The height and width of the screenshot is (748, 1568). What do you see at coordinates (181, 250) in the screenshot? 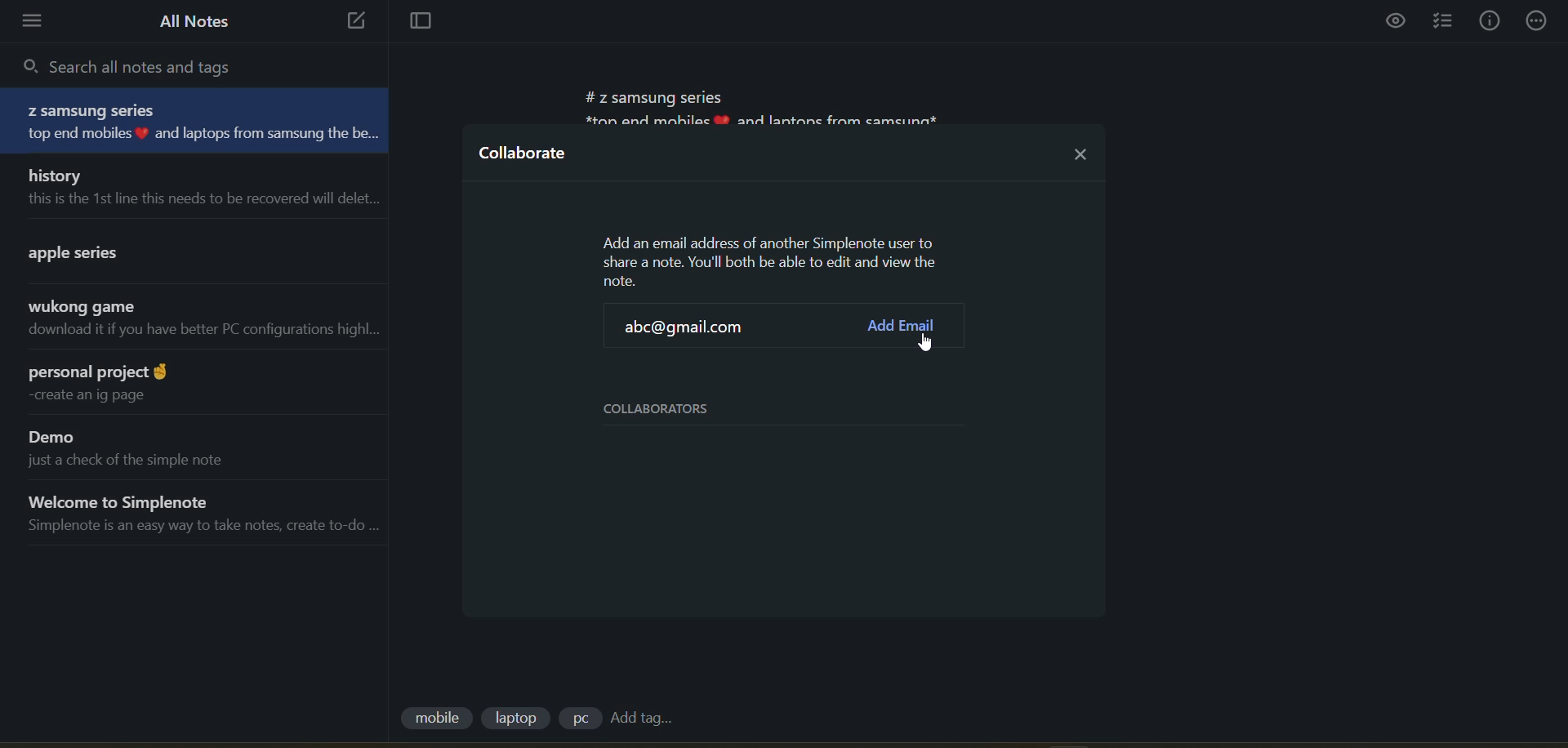
I see `note title and preview` at bounding box center [181, 250].